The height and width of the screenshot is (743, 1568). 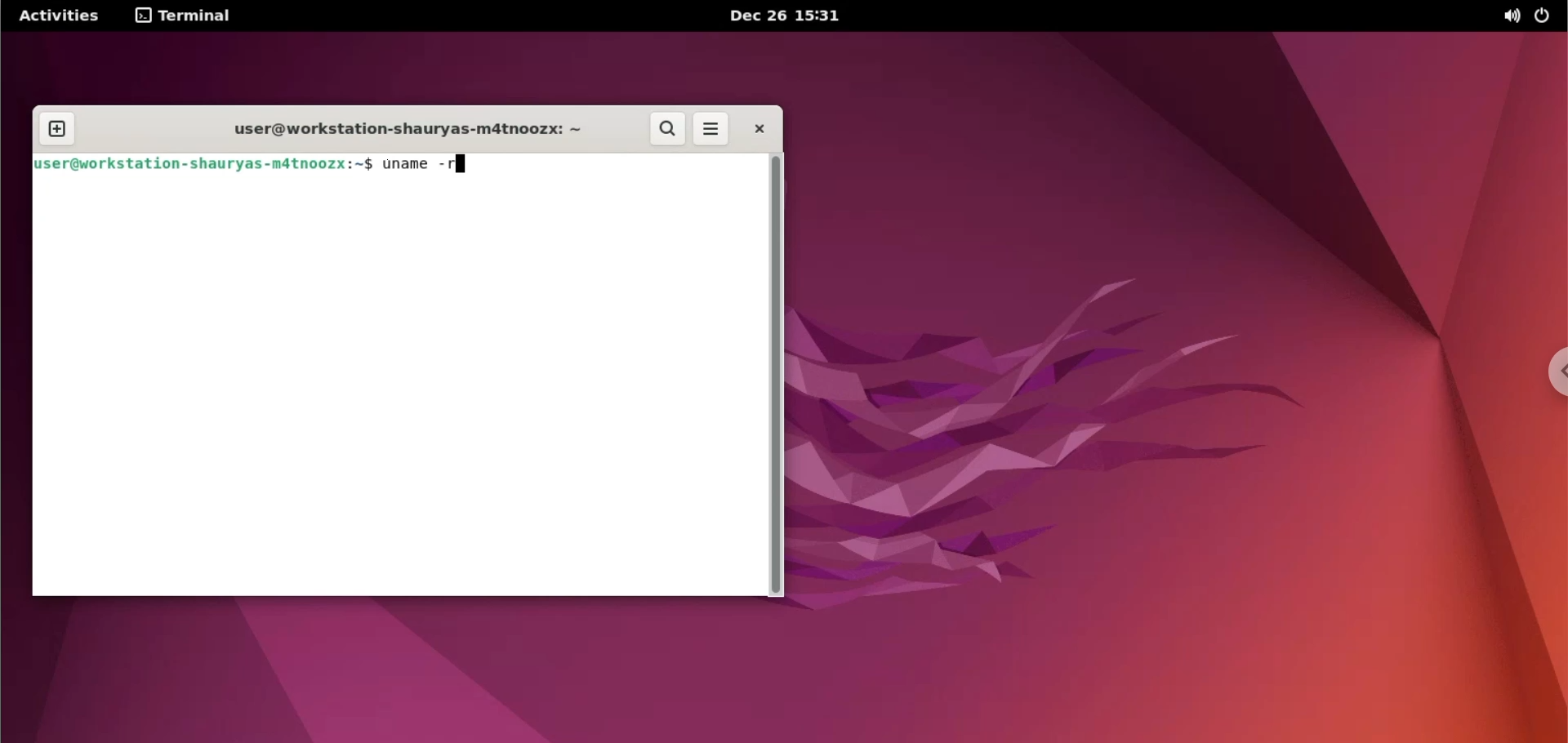 What do you see at coordinates (61, 15) in the screenshot?
I see `Activities` at bounding box center [61, 15].